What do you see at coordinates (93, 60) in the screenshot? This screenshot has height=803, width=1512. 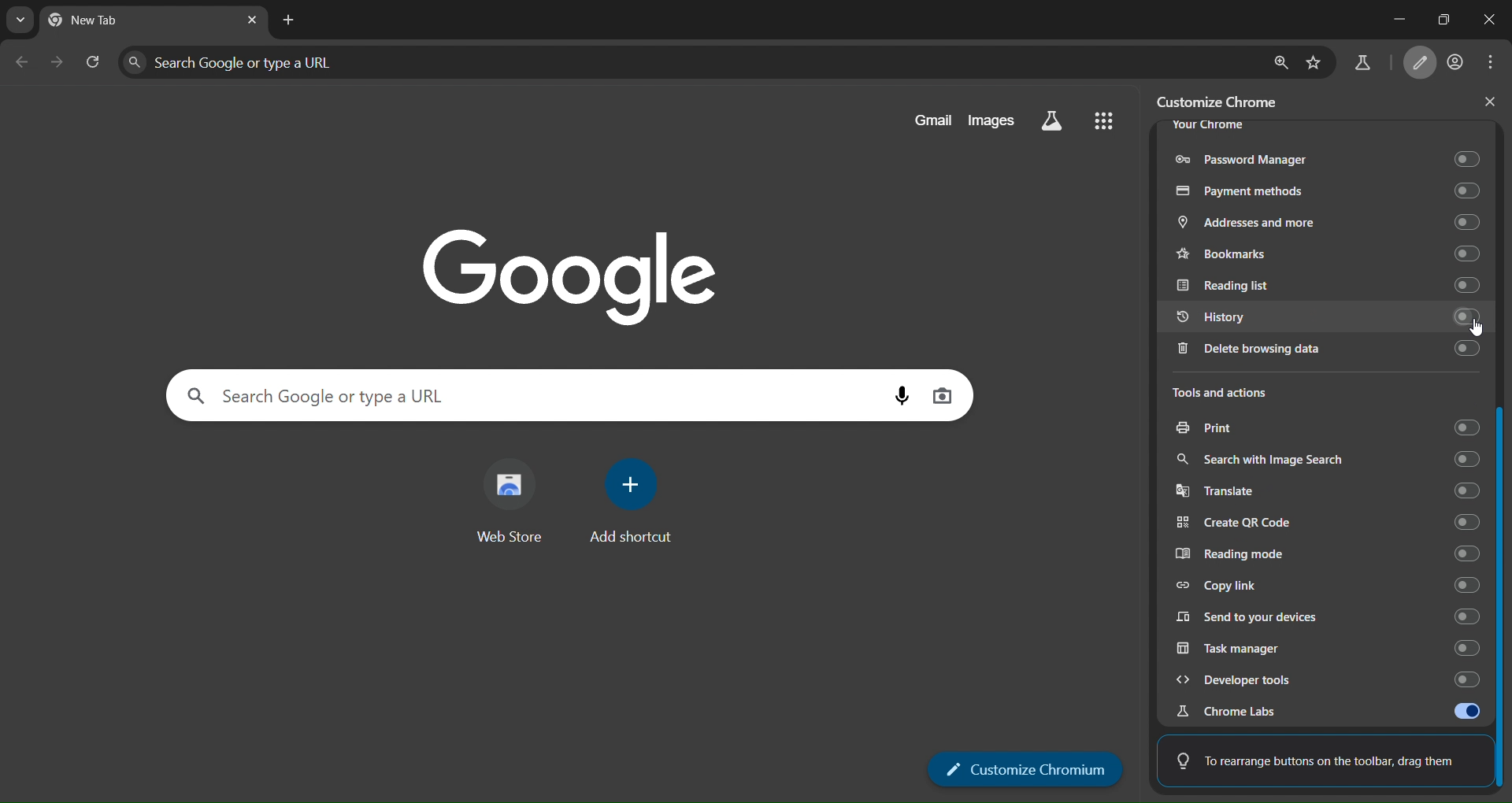 I see `reload page` at bounding box center [93, 60].